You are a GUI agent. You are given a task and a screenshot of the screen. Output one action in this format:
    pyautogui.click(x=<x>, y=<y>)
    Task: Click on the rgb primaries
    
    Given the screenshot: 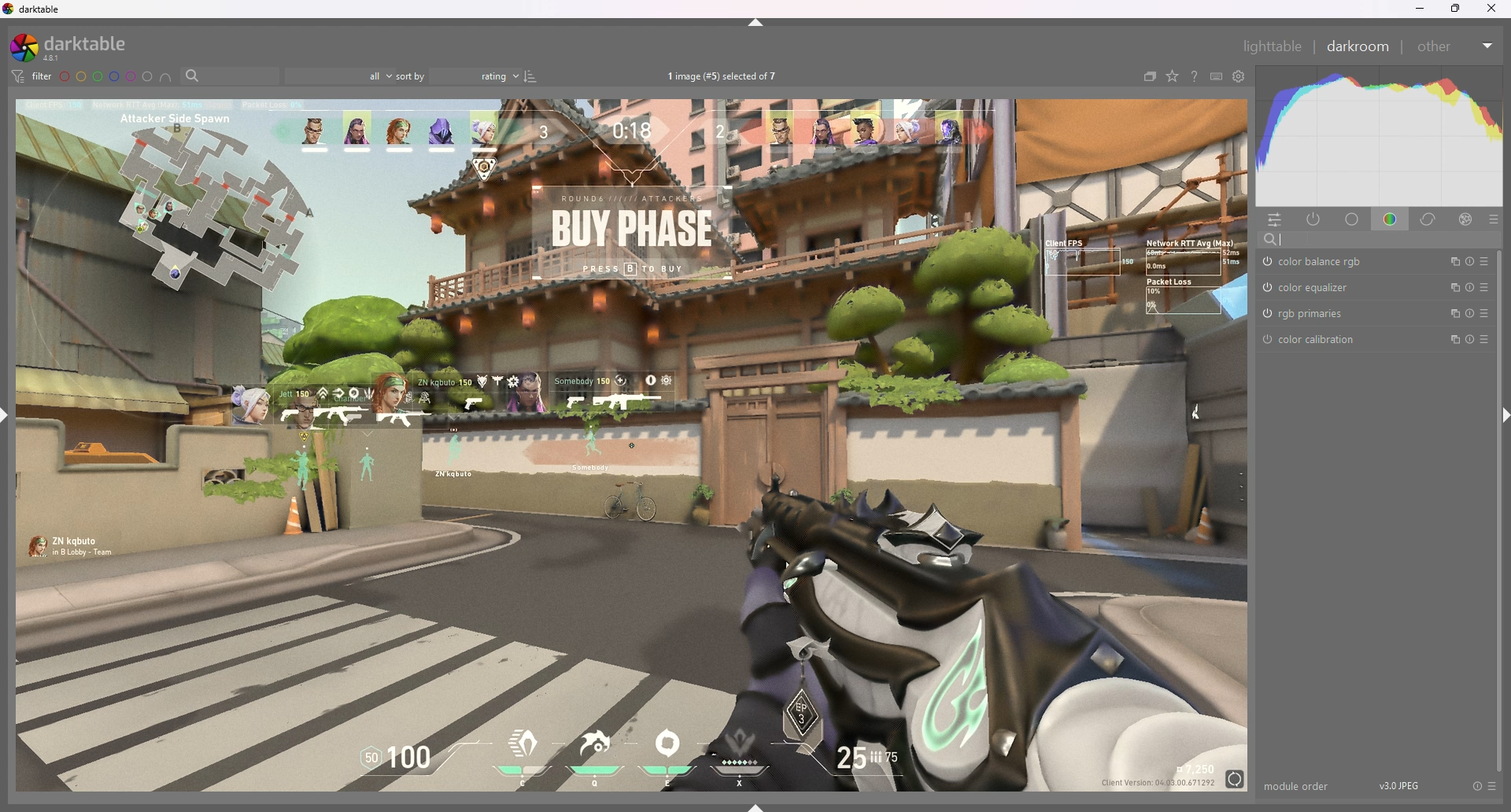 What is the action you would take?
    pyautogui.click(x=1304, y=313)
    